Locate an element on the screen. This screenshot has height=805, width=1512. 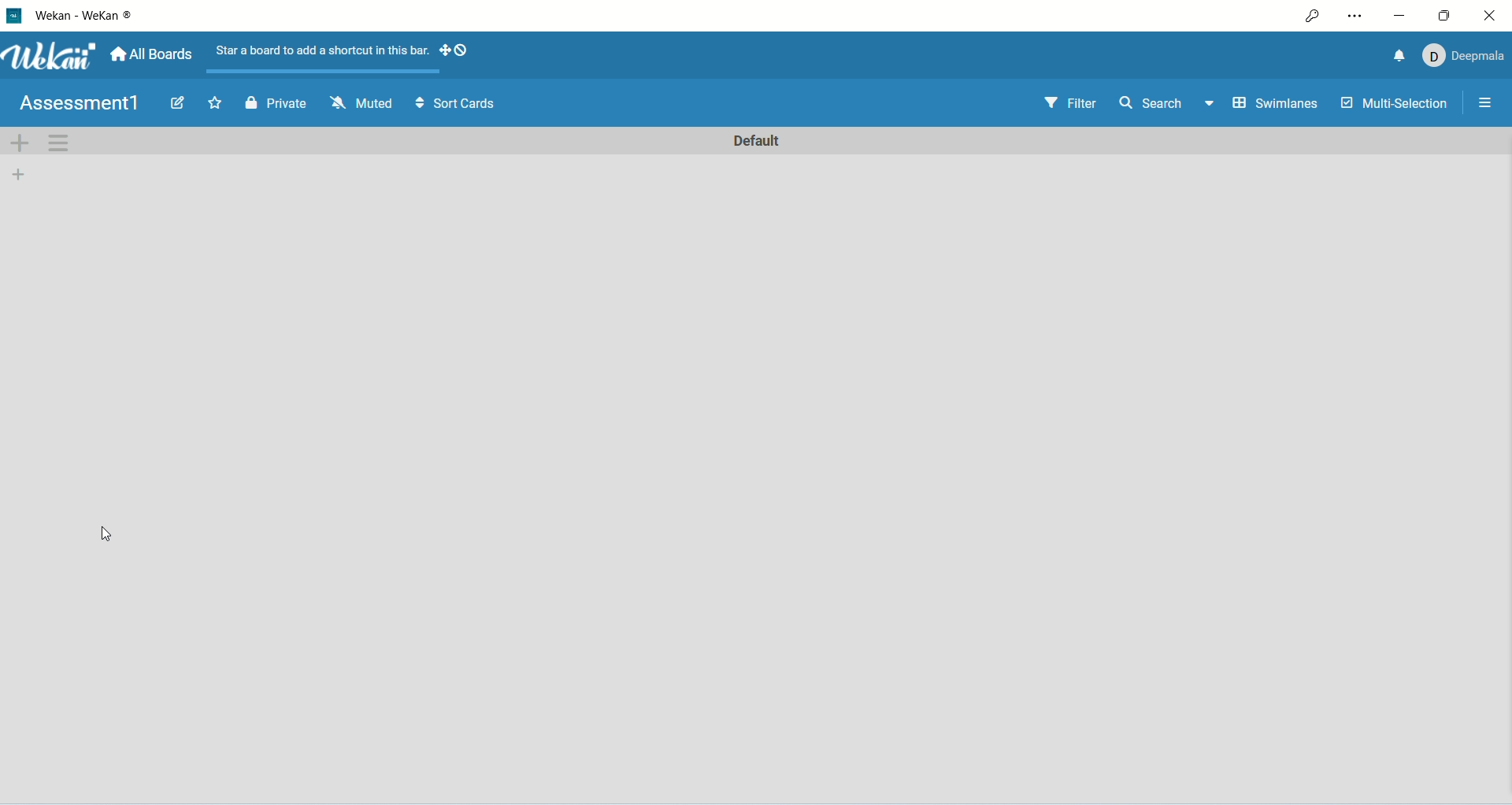
close is located at coordinates (1491, 17).